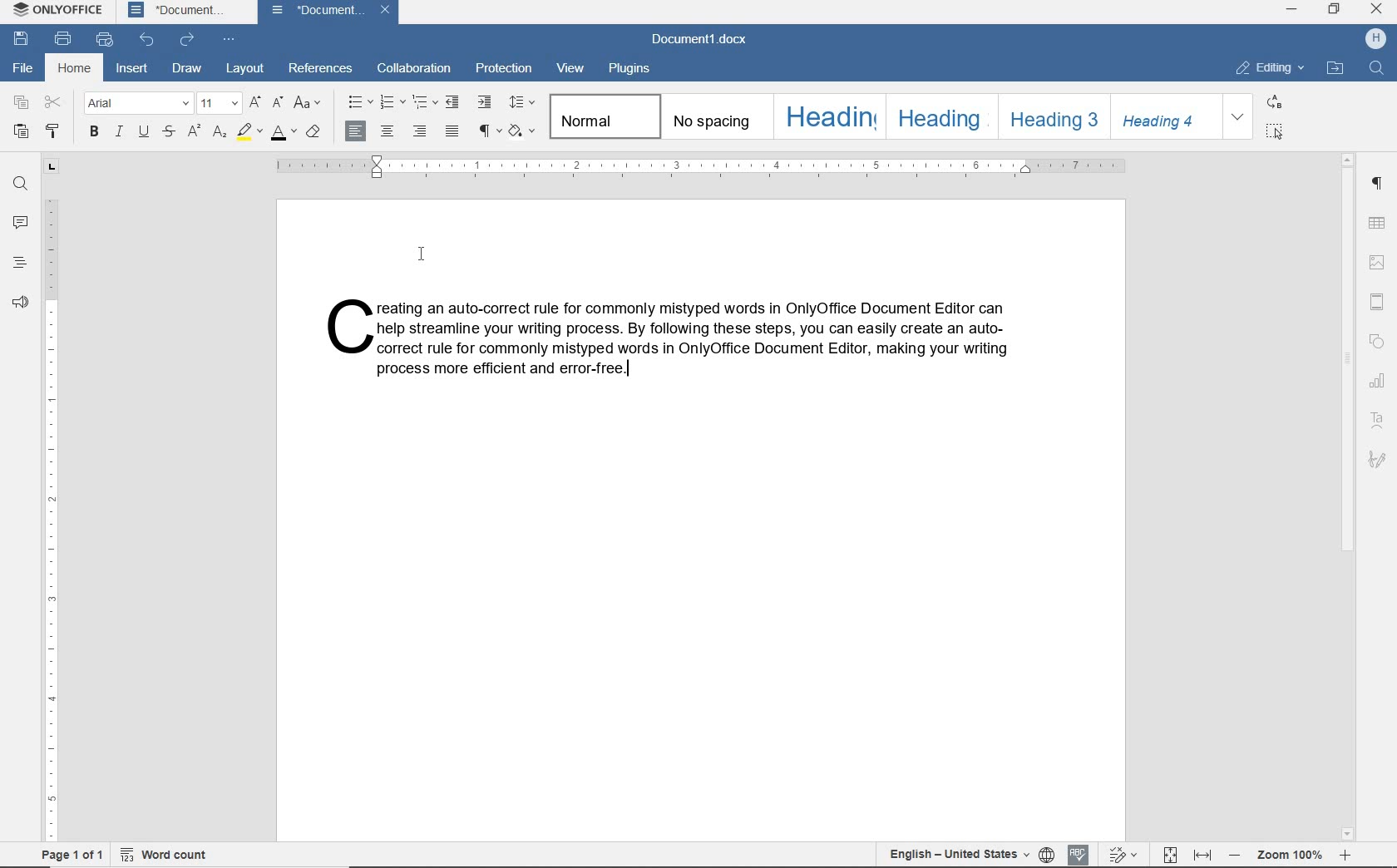  What do you see at coordinates (1377, 303) in the screenshot?
I see `HEADER & FOOTER` at bounding box center [1377, 303].